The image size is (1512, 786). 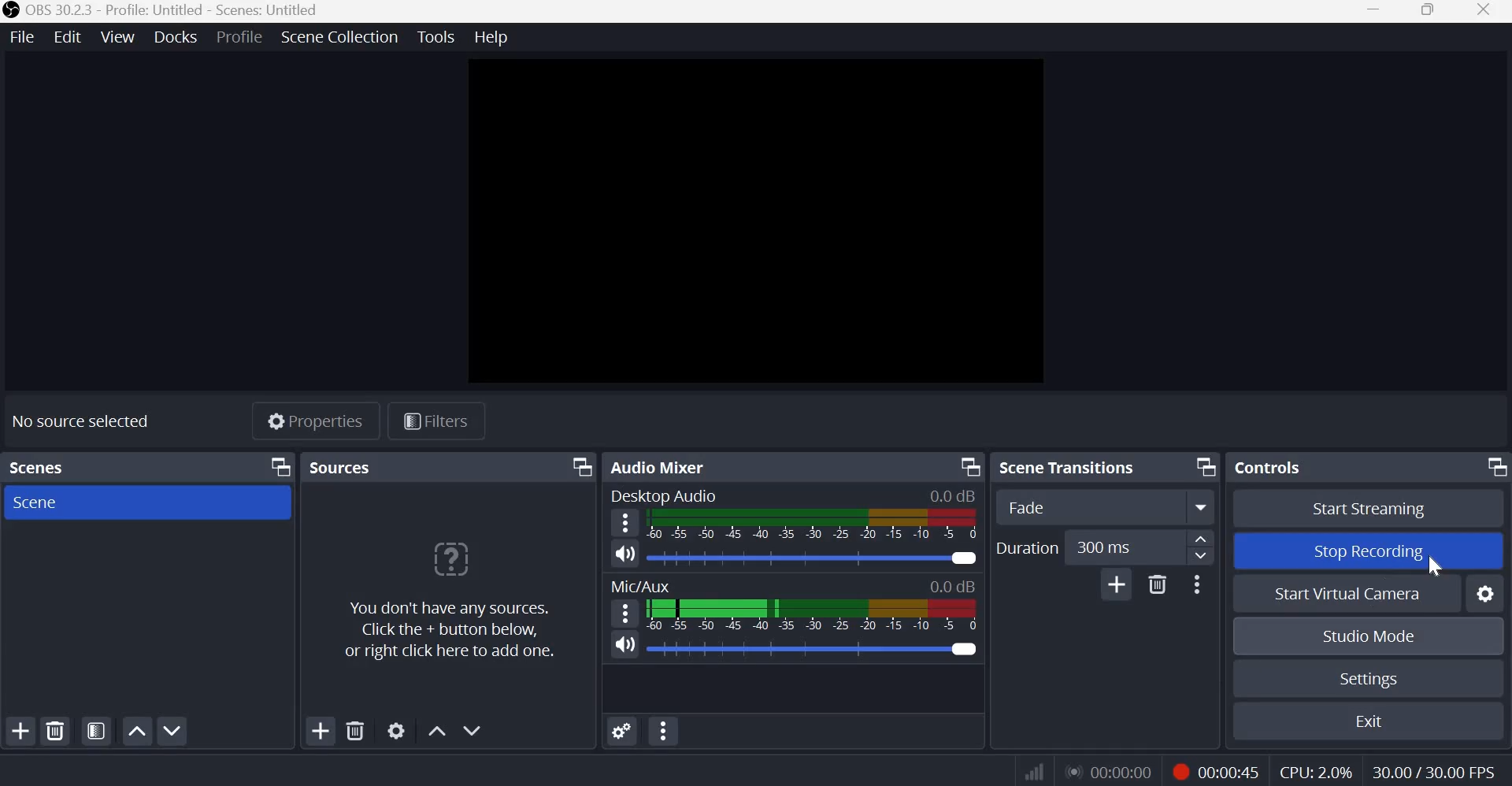 What do you see at coordinates (967, 649) in the screenshot?
I see `Audio Slider` at bounding box center [967, 649].